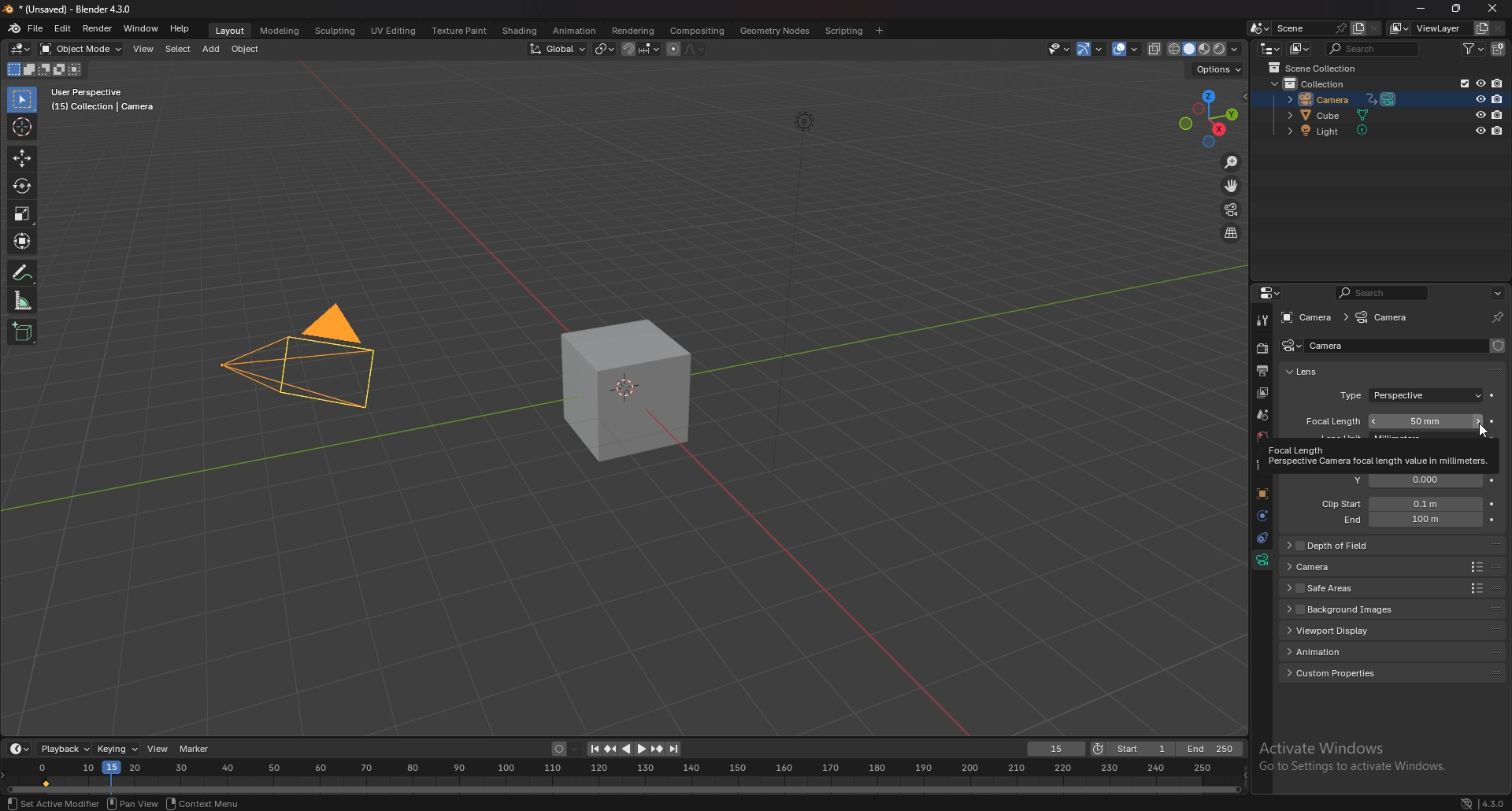  I want to click on cube, so click(1332, 116).